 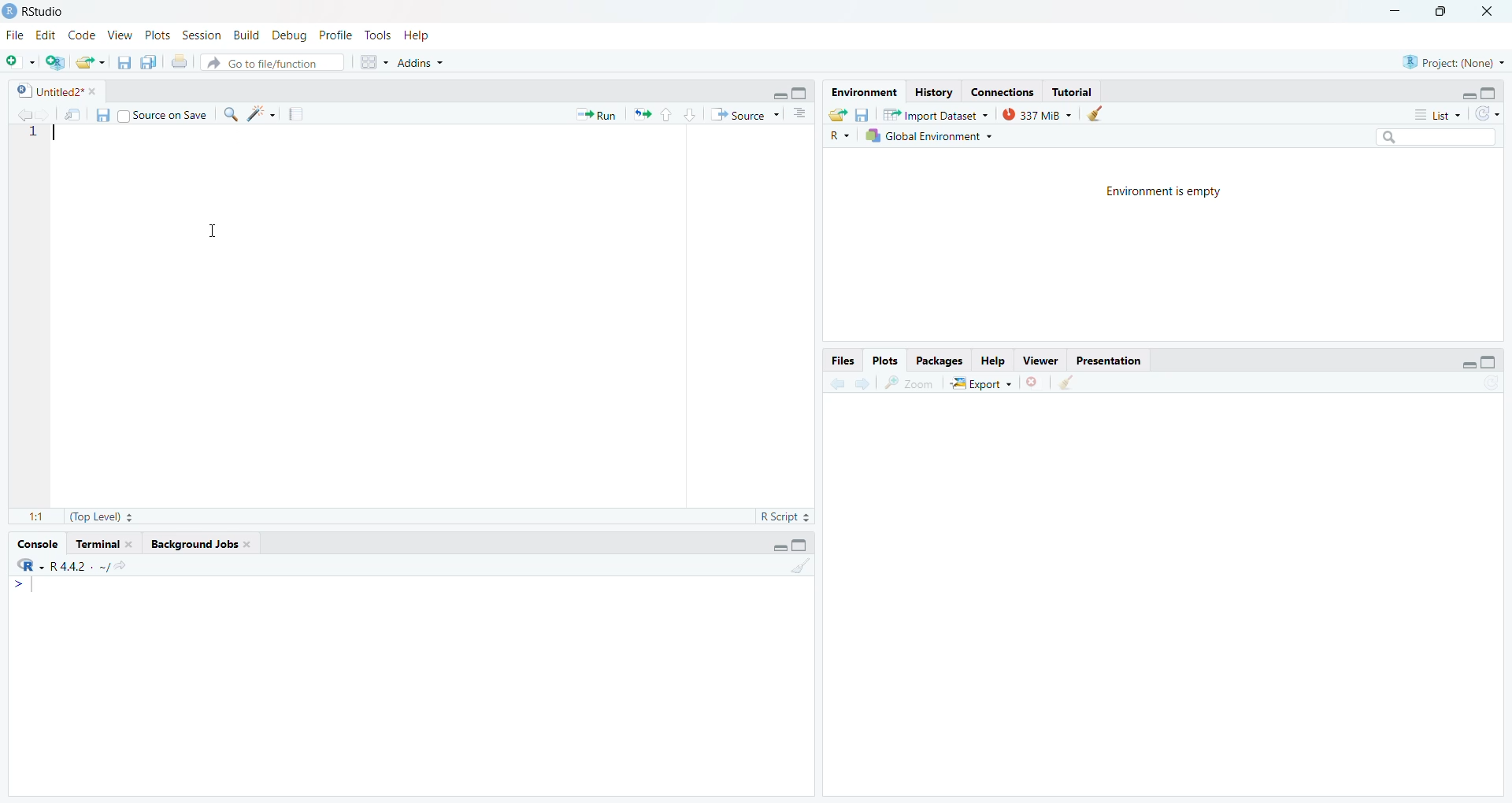 What do you see at coordinates (1442, 11) in the screenshot?
I see `maximize` at bounding box center [1442, 11].